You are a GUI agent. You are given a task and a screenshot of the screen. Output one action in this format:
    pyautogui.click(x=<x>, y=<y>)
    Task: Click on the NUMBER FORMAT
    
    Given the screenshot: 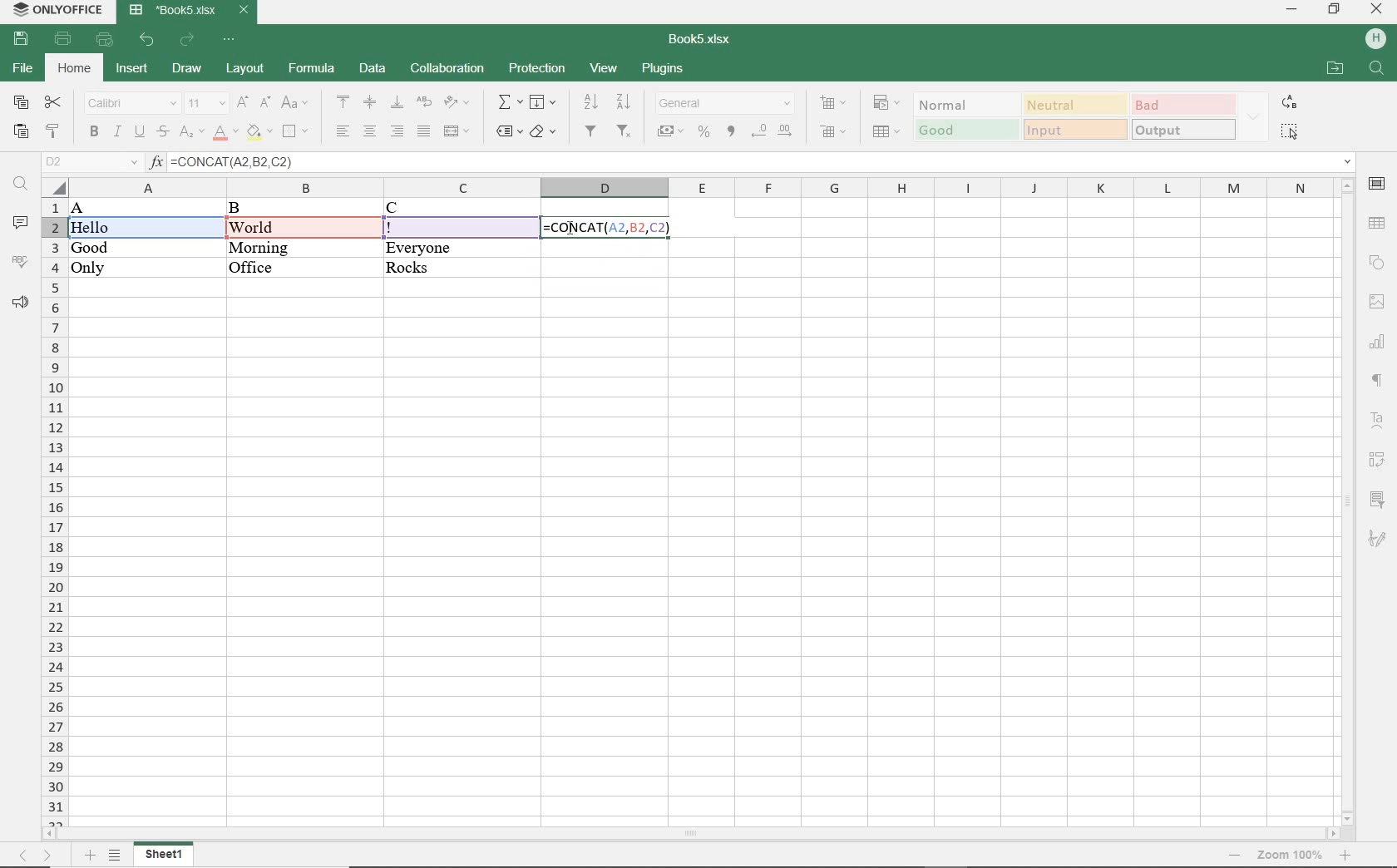 What is the action you would take?
    pyautogui.click(x=726, y=102)
    